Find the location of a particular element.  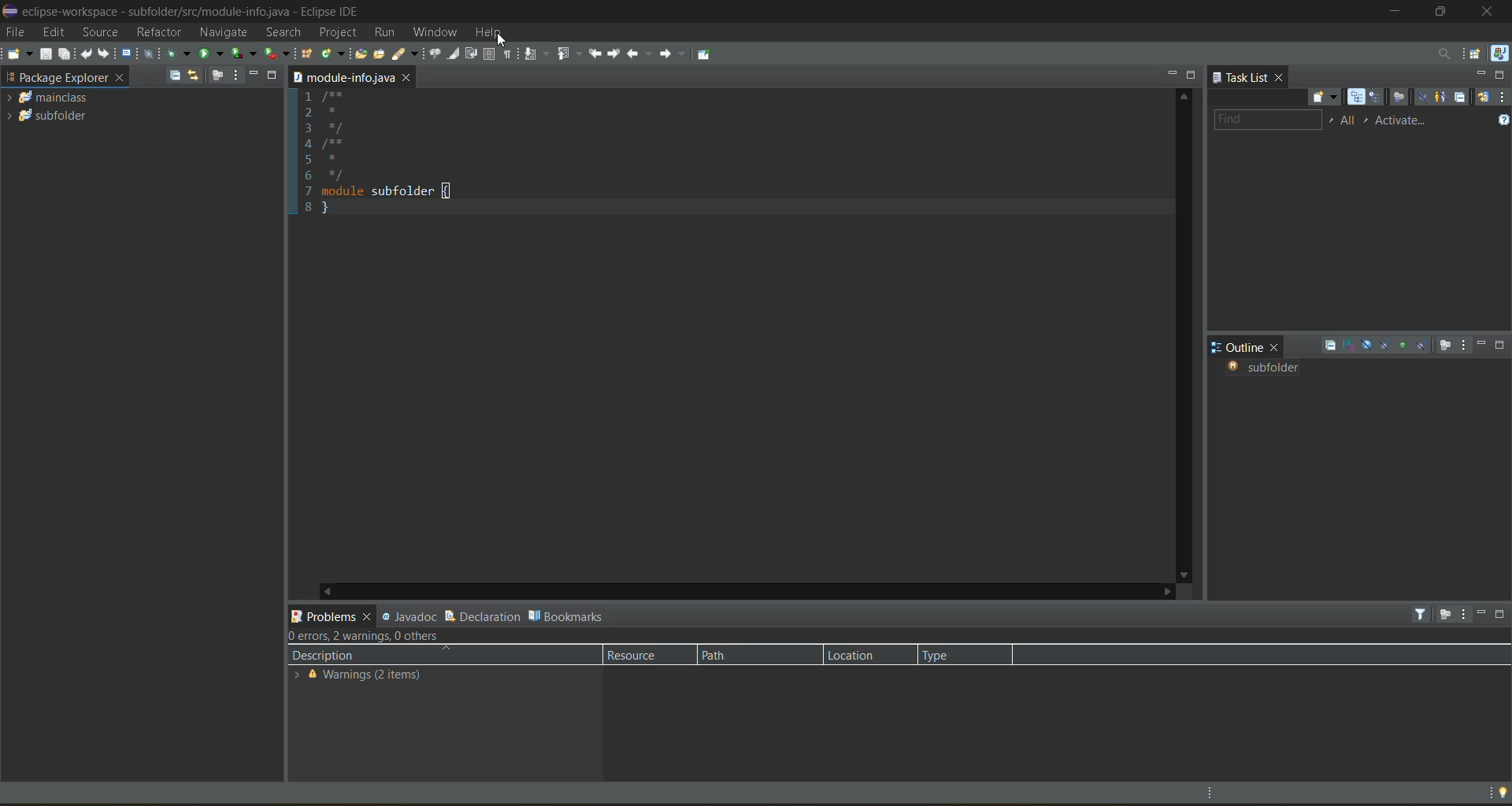

show whitespace characters is located at coordinates (510, 55).